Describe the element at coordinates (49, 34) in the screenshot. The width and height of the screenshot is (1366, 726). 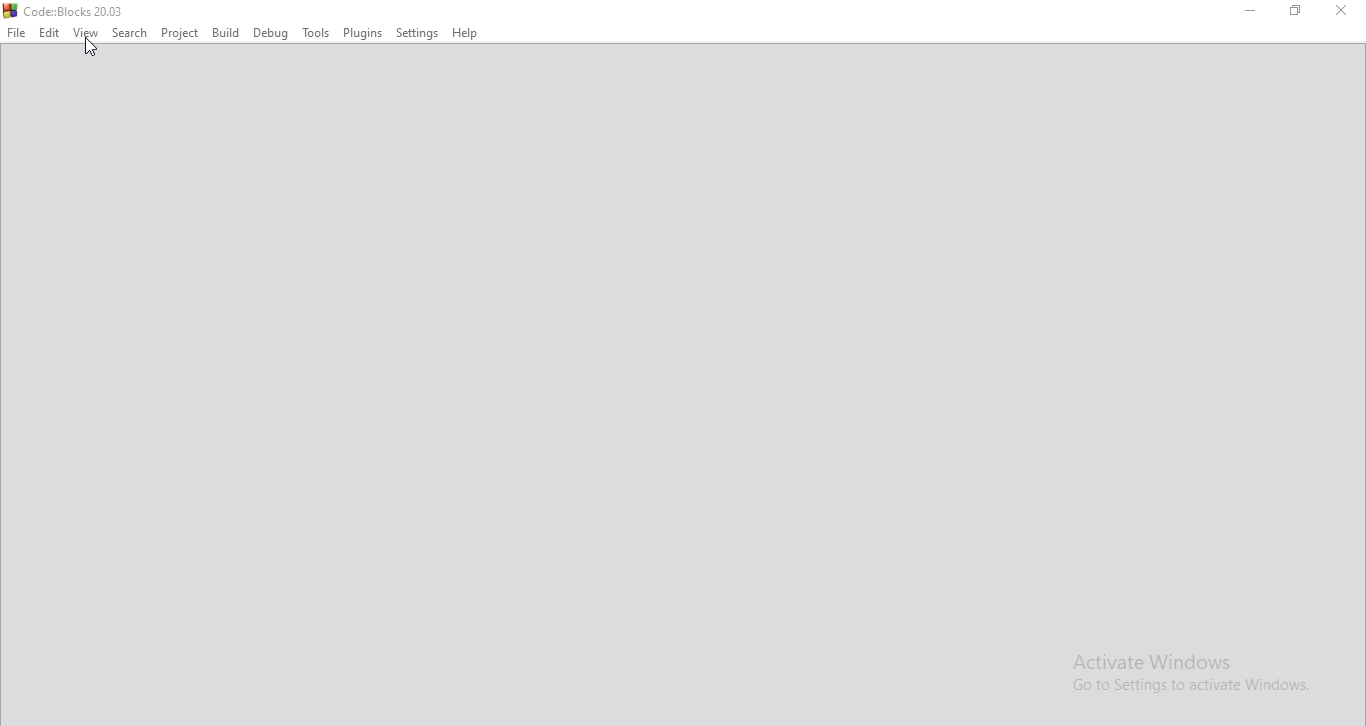
I see `Edit ` at that location.